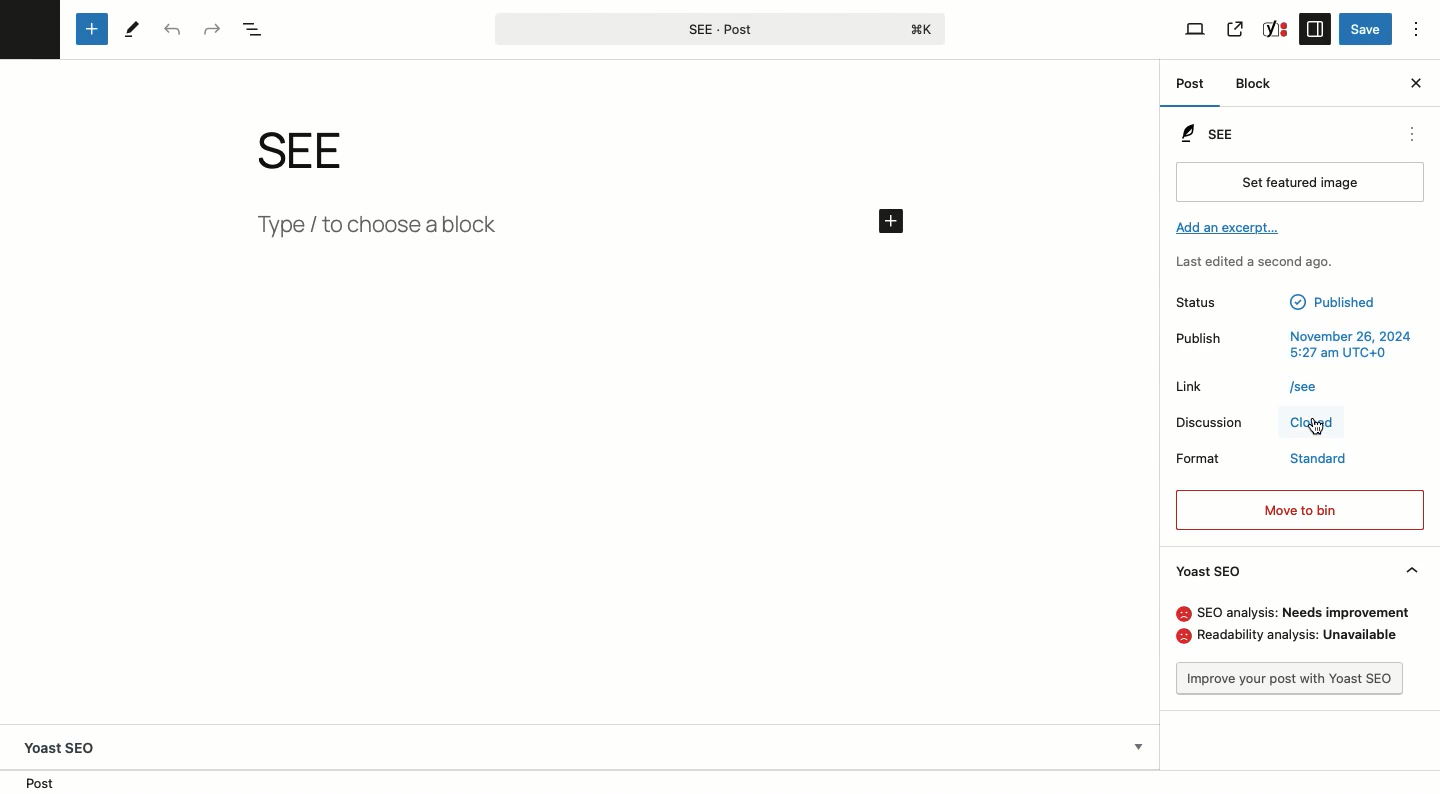 This screenshot has height=794, width=1440. What do you see at coordinates (1295, 345) in the screenshot?
I see `Publish Novemebr 26, 2024 5:27am UTC+0` at bounding box center [1295, 345].